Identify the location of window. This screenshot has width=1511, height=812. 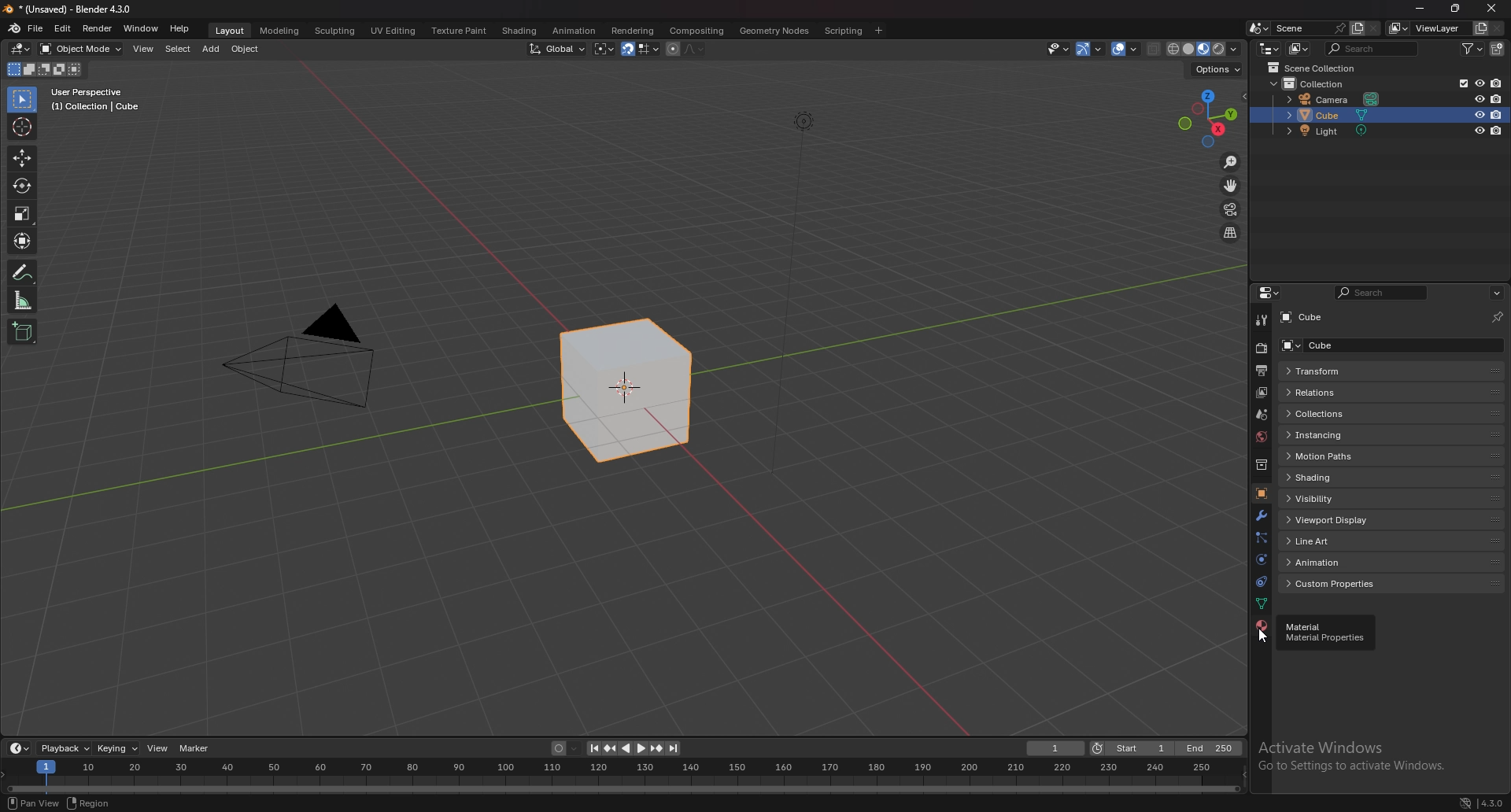
(141, 28).